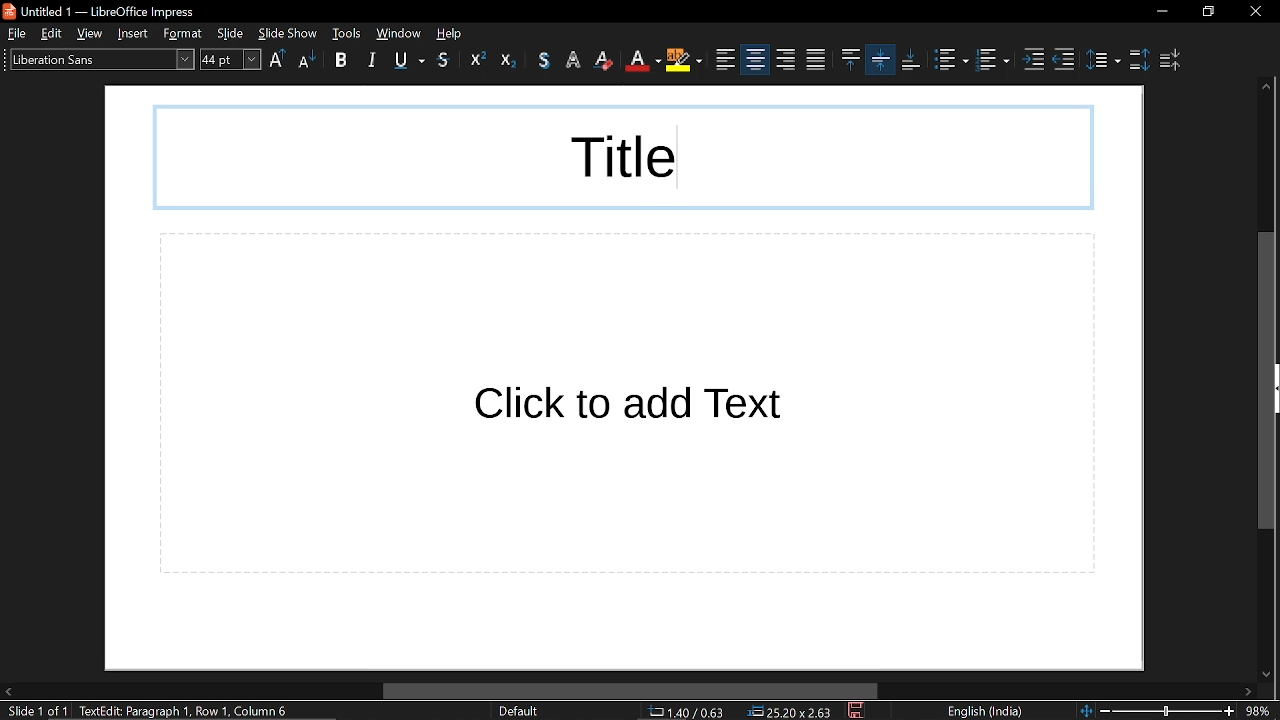  I want to click on italic, so click(374, 59).